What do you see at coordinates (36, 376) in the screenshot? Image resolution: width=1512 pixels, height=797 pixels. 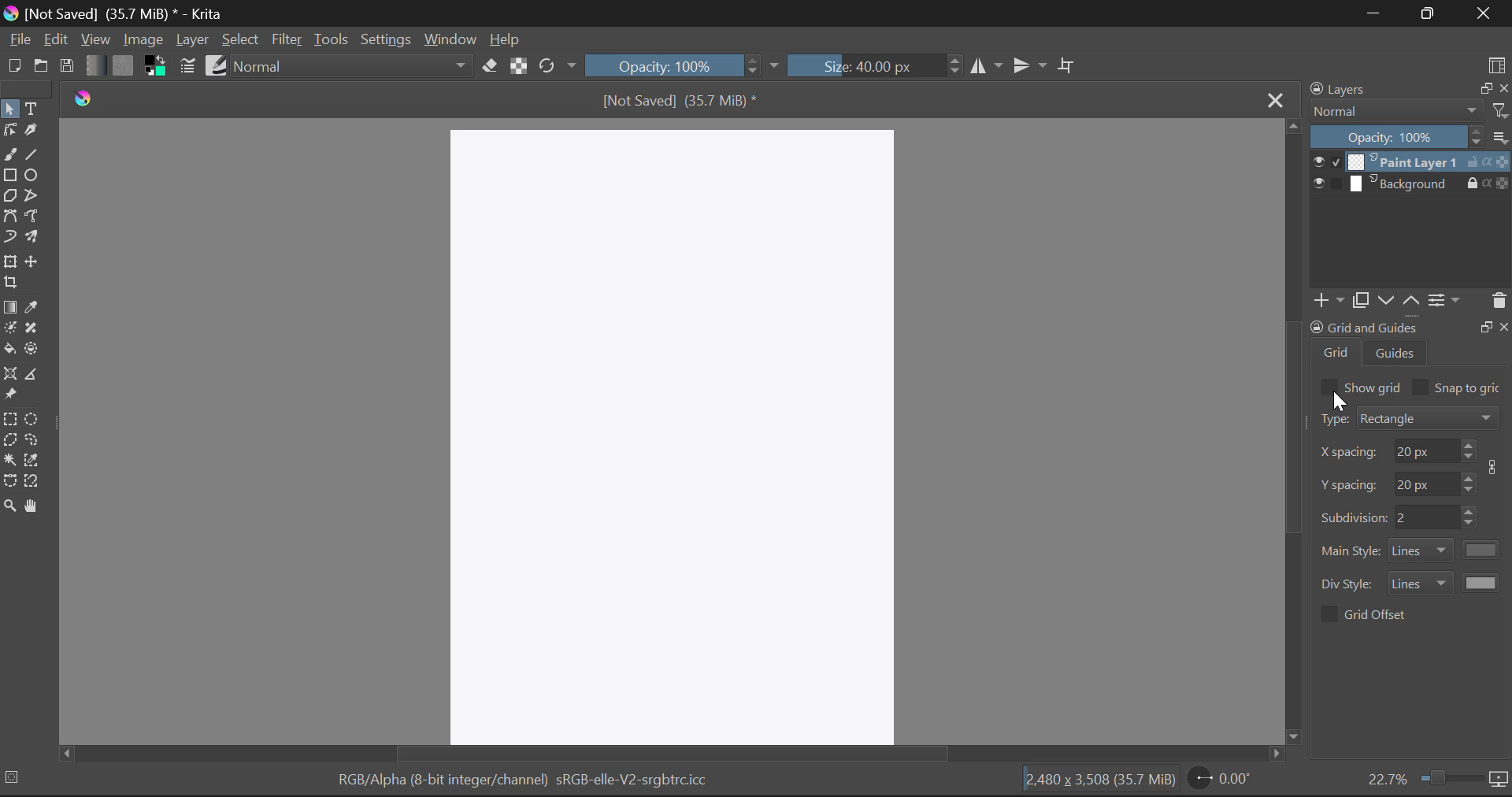 I see `Measurements` at bounding box center [36, 376].